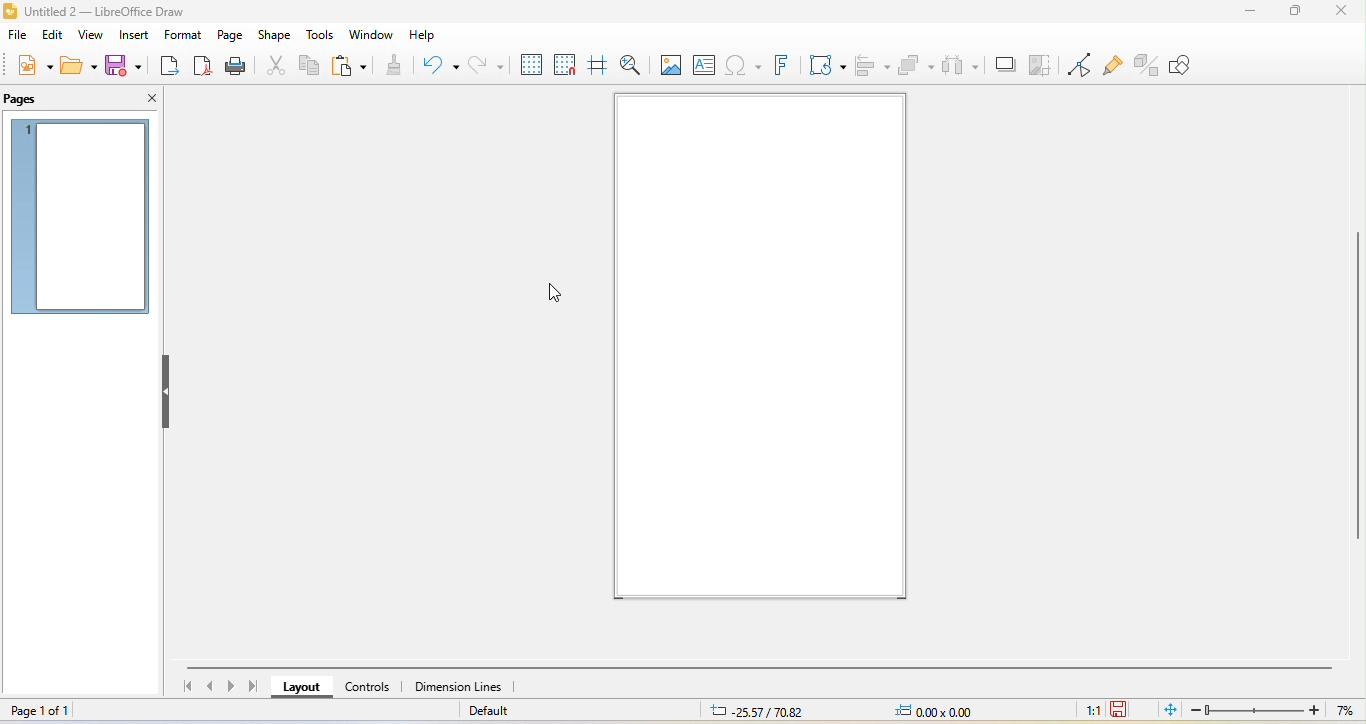 The image size is (1366, 724). Describe the element at coordinates (917, 64) in the screenshot. I see `arrange` at that location.